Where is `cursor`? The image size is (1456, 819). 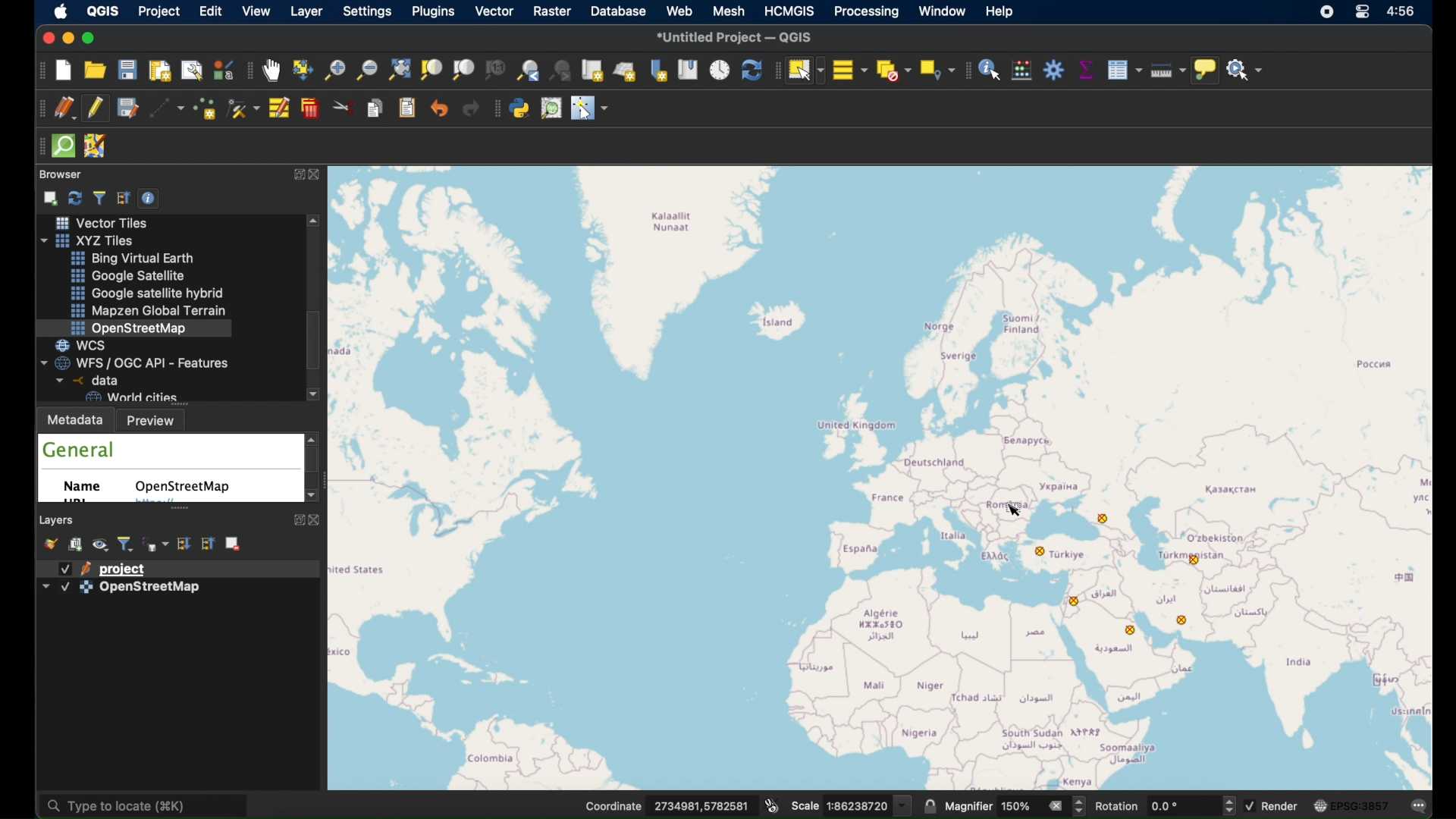 cursor is located at coordinates (1020, 510).